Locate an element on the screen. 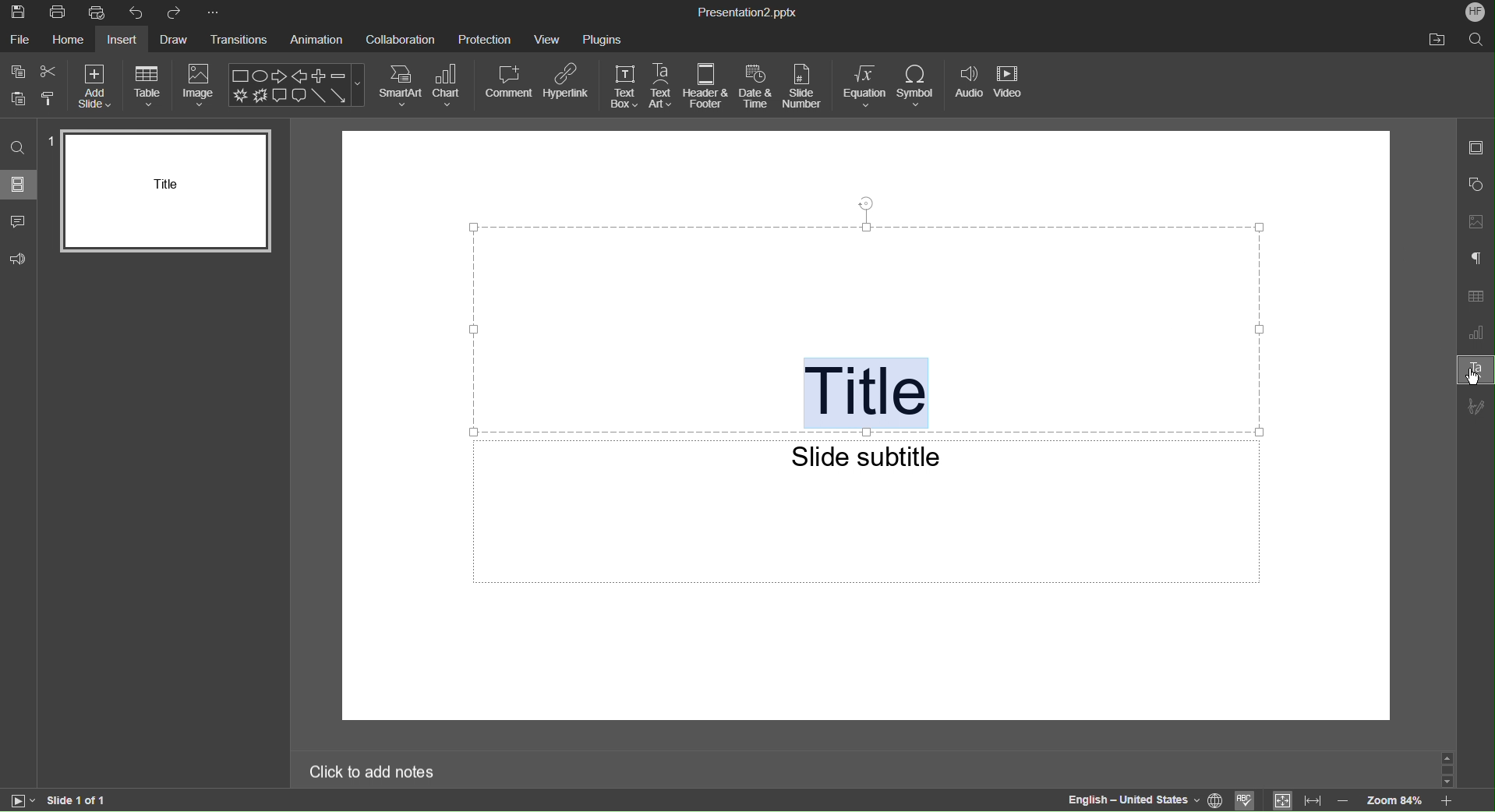 This screenshot has width=1495, height=812. Slide 1 of 1  is located at coordinates (79, 800).